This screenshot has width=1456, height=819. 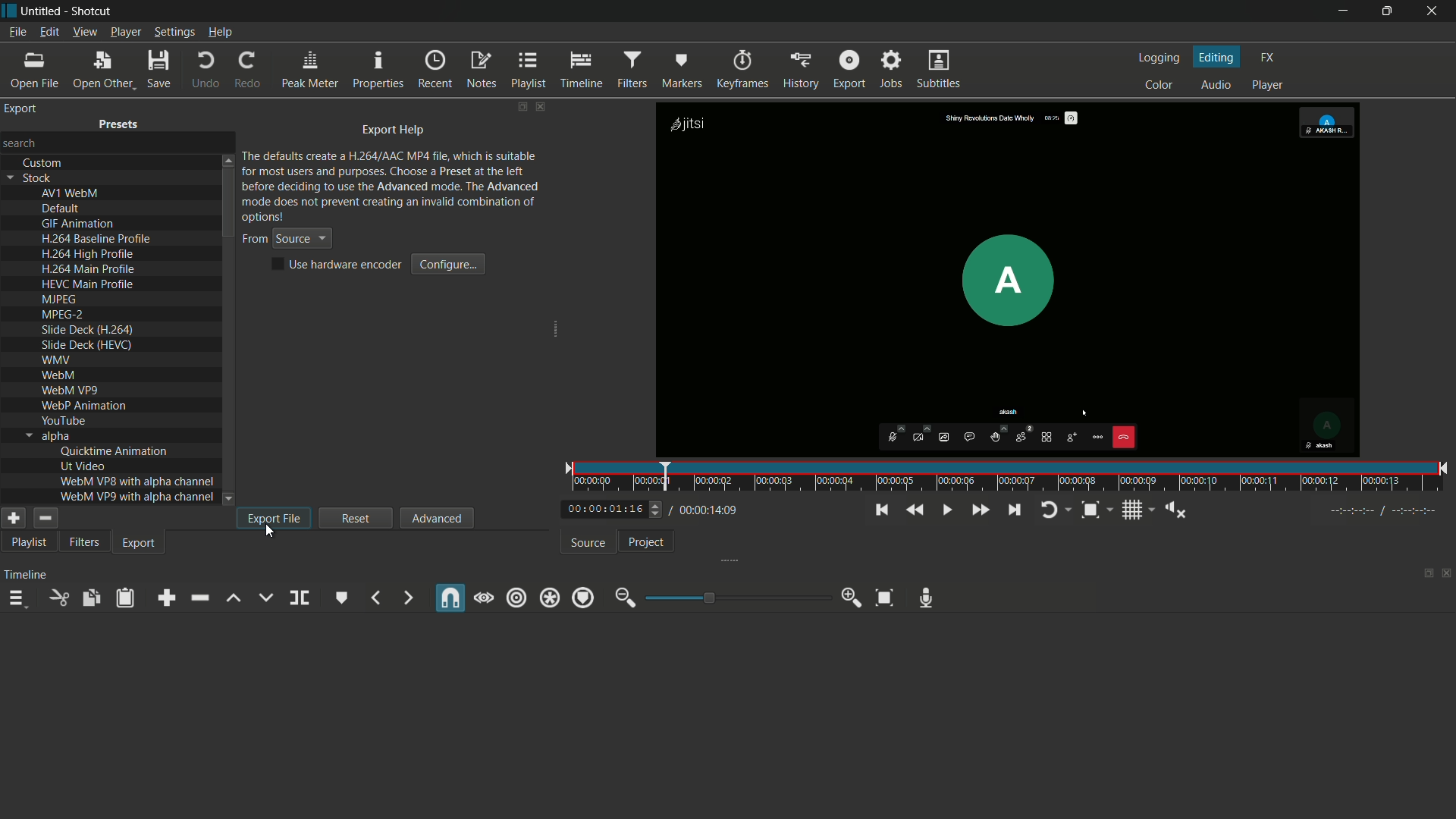 What do you see at coordinates (392, 186) in the screenshot?
I see `text` at bounding box center [392, 186].